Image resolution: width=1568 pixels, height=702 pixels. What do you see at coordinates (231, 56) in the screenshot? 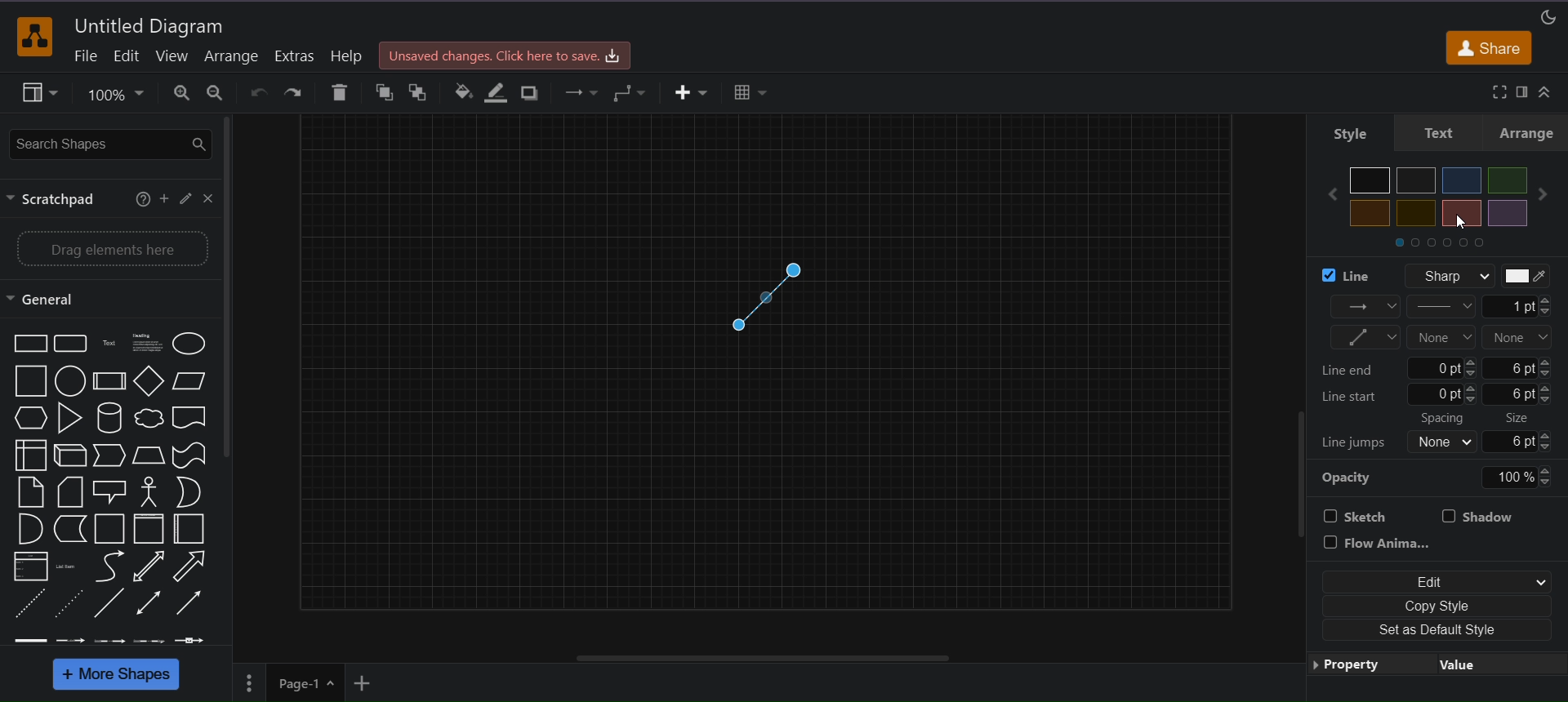
I see `arrange` at bounding box center [231, 56].